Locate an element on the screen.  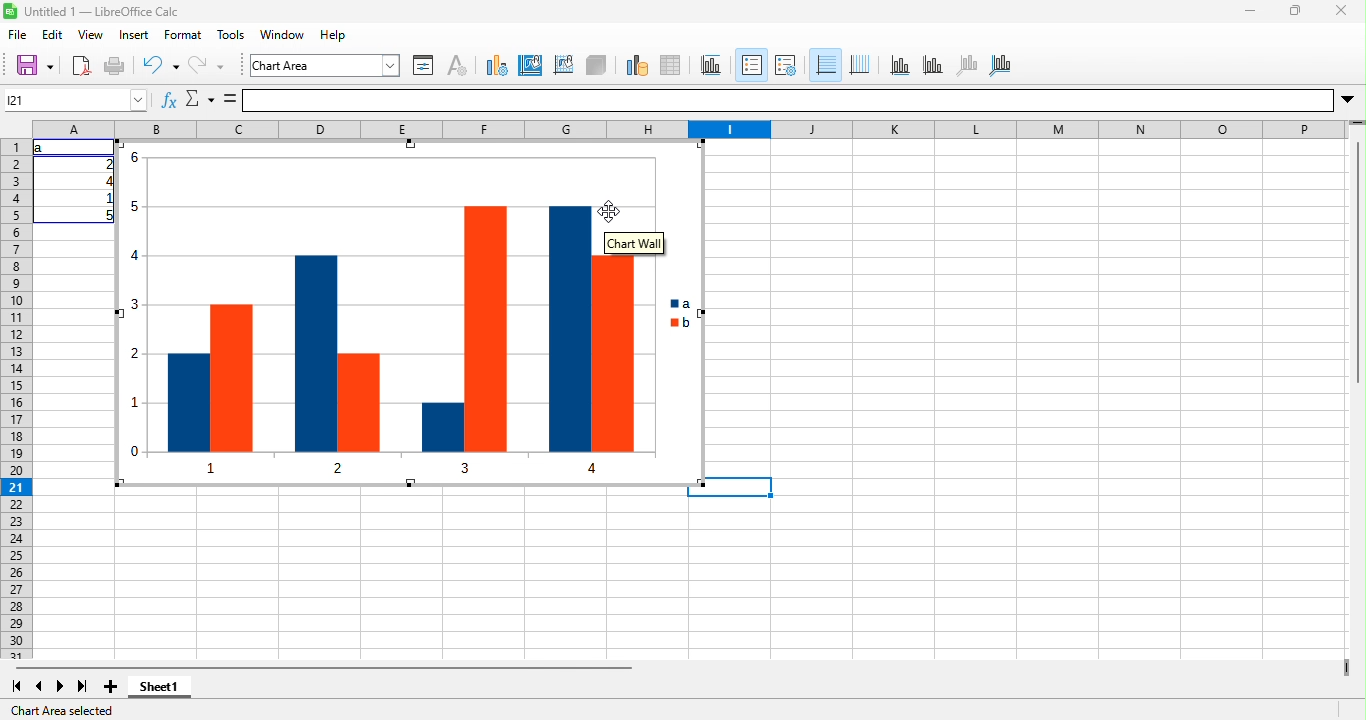
tools is located at coordinates (230, 34).